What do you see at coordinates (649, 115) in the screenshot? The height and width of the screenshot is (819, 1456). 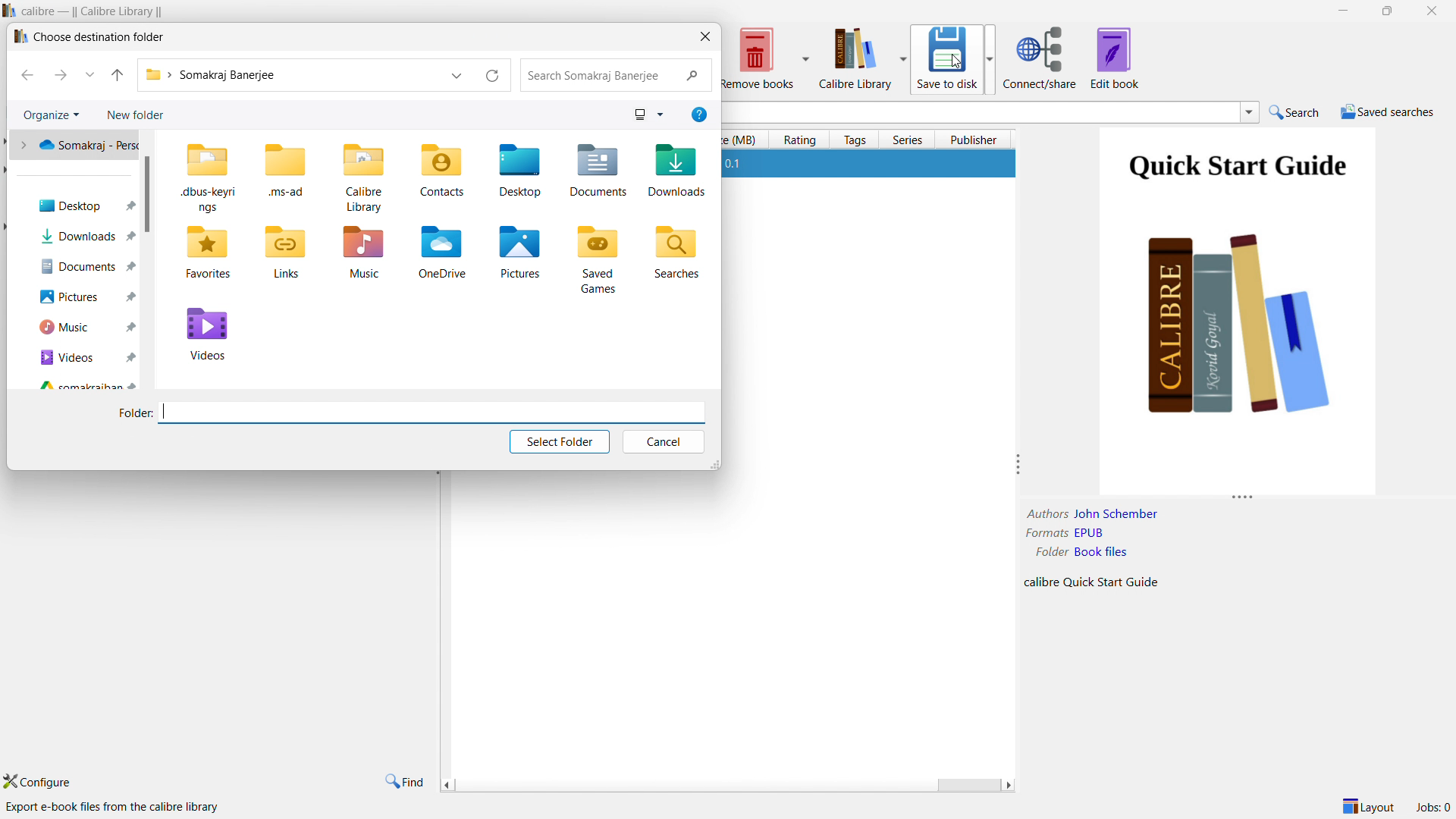 I see `view options` at bounding box center [649, 115].